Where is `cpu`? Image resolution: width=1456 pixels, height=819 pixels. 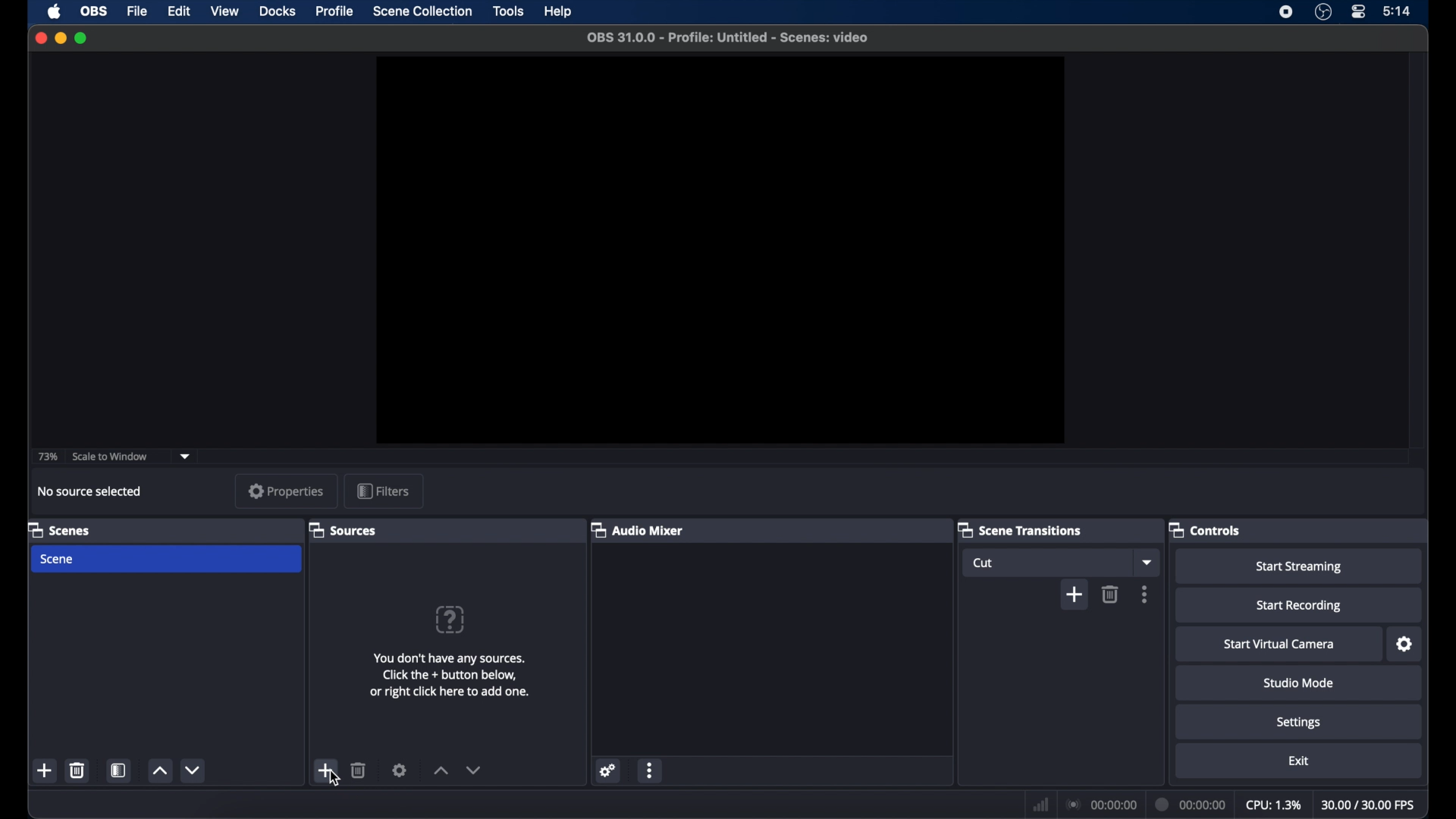 cpu is located at coordinates (1274, 805).